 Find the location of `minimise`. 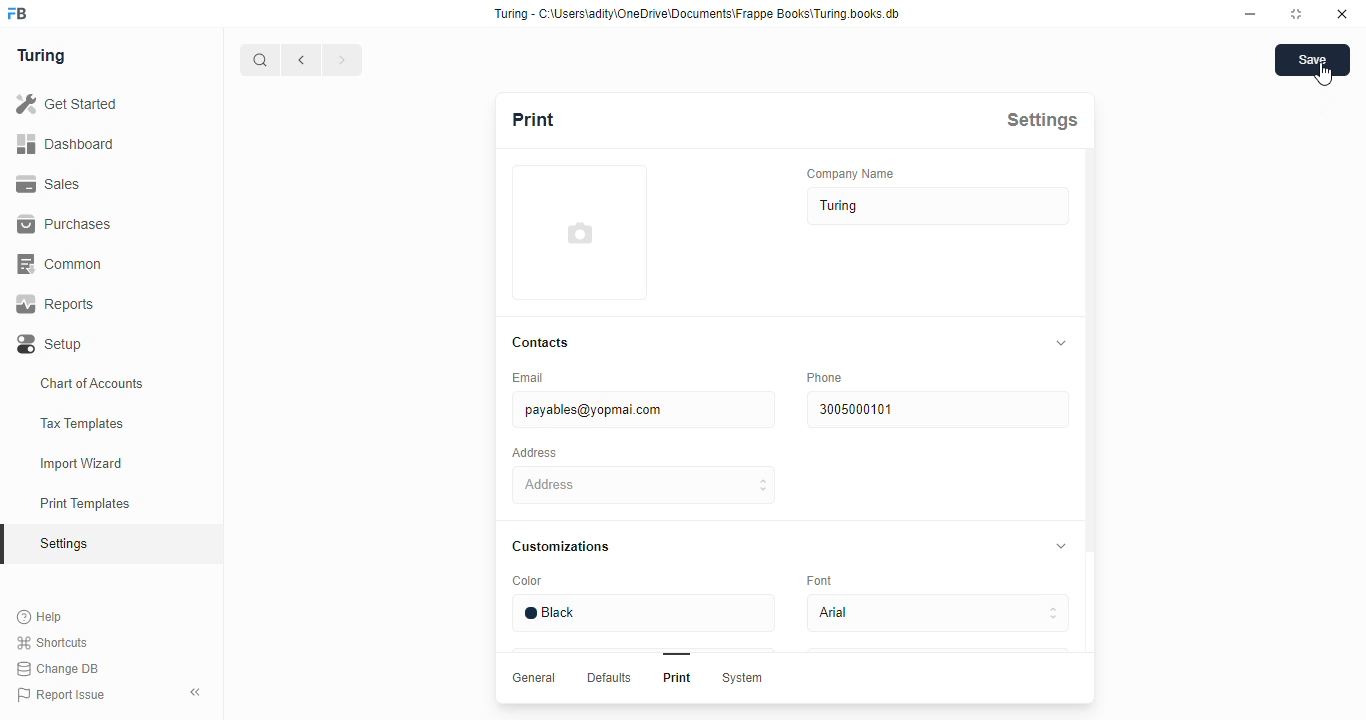

minimise is located at coordinates (1253, 13).